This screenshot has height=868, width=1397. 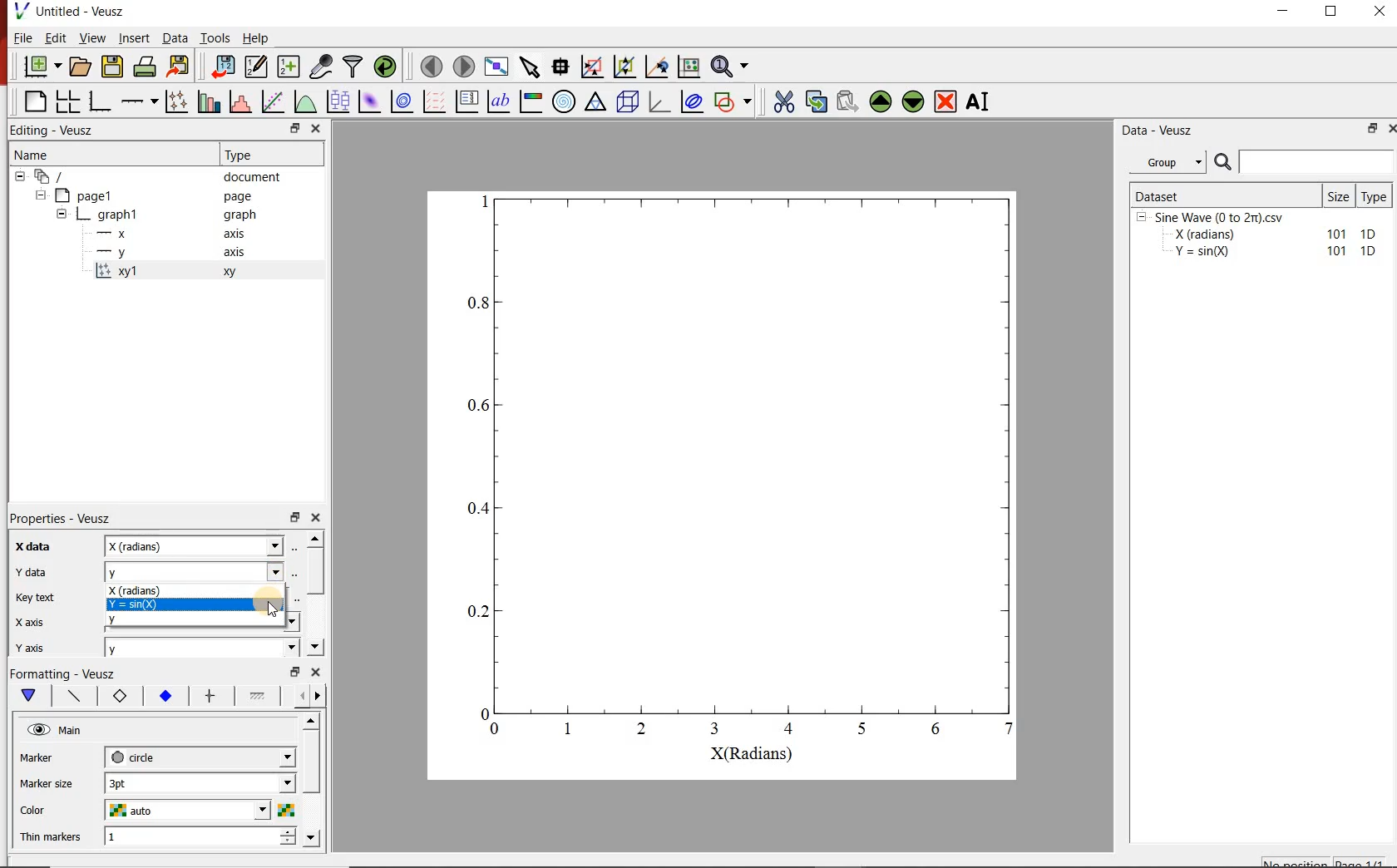 What do you see at coordinates (30, 570) in the screenshot?
I see `Min` at bounding box center [30, 570].